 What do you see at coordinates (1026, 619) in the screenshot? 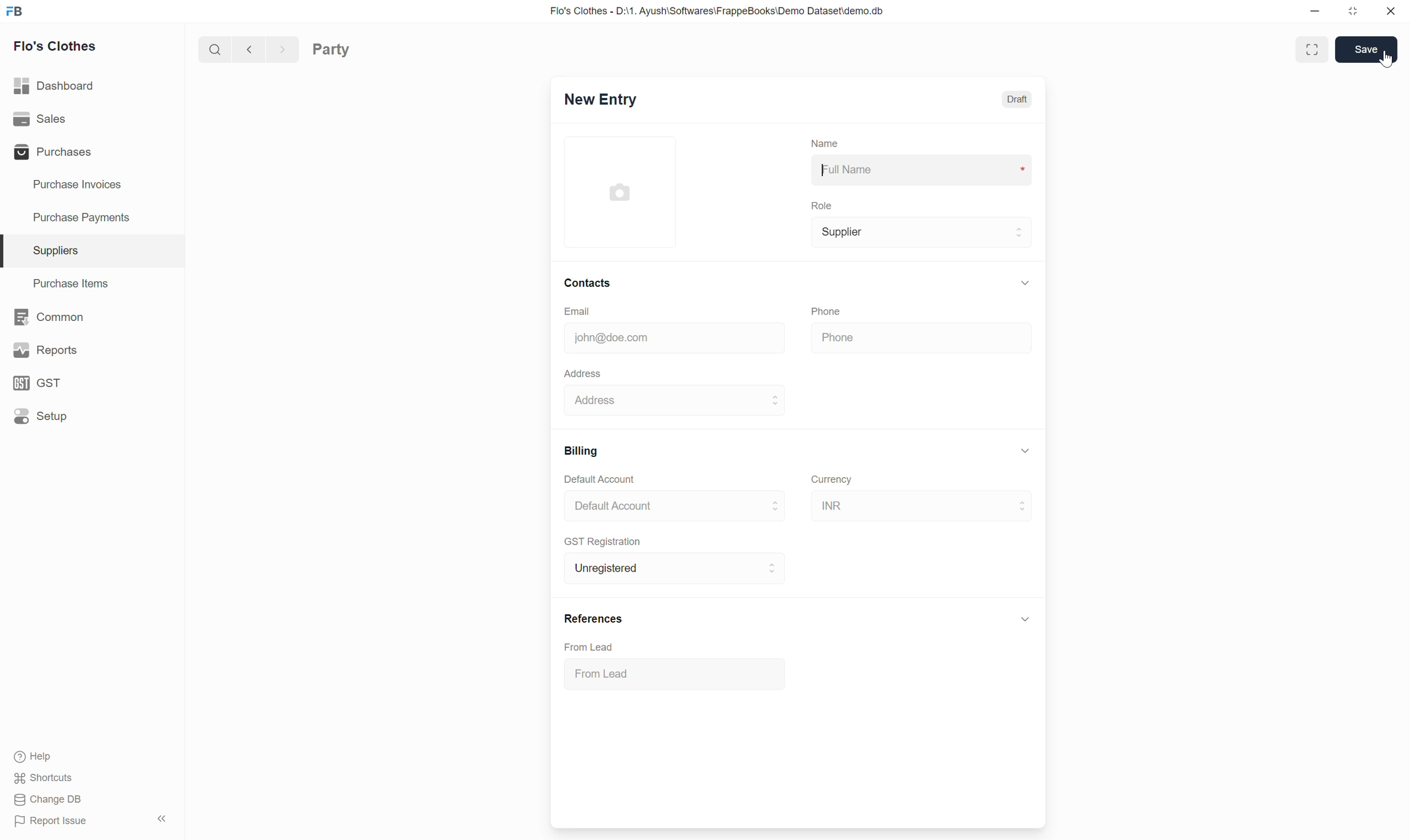
I see `Click to collapse` at bounding box center [1026, 619].